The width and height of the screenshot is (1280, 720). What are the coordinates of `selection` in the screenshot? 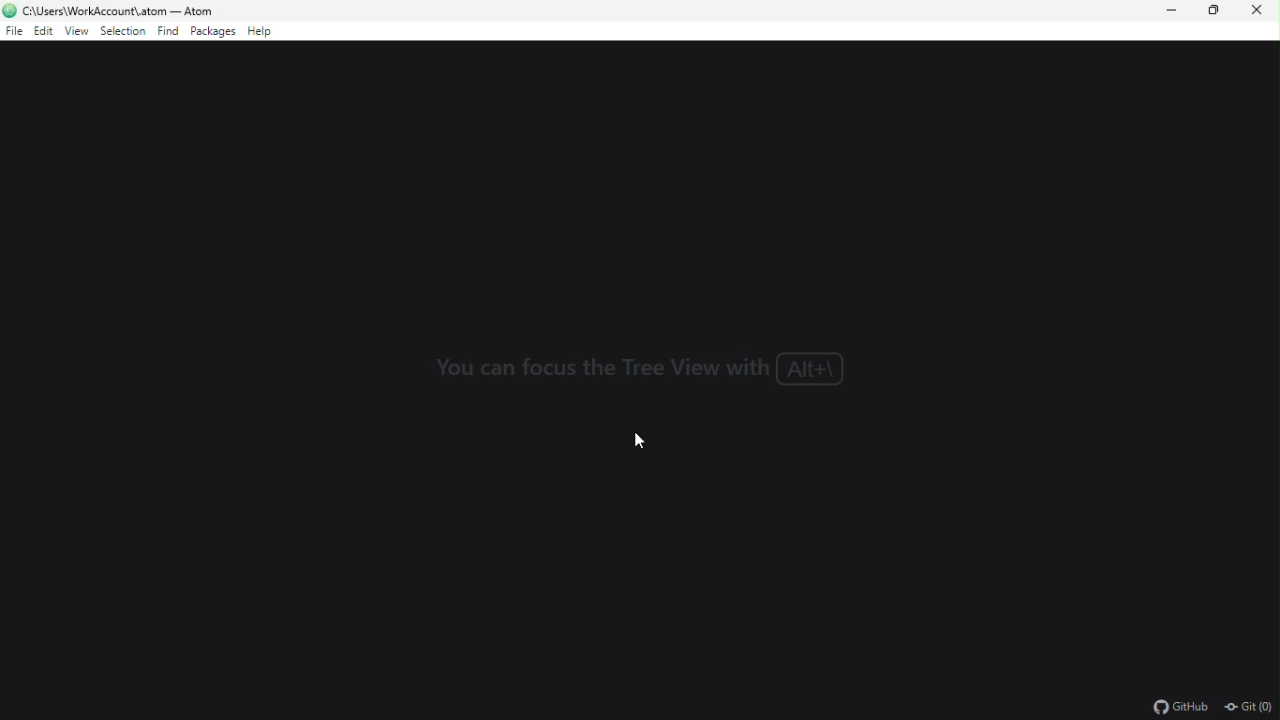 It's located at (123, 31).